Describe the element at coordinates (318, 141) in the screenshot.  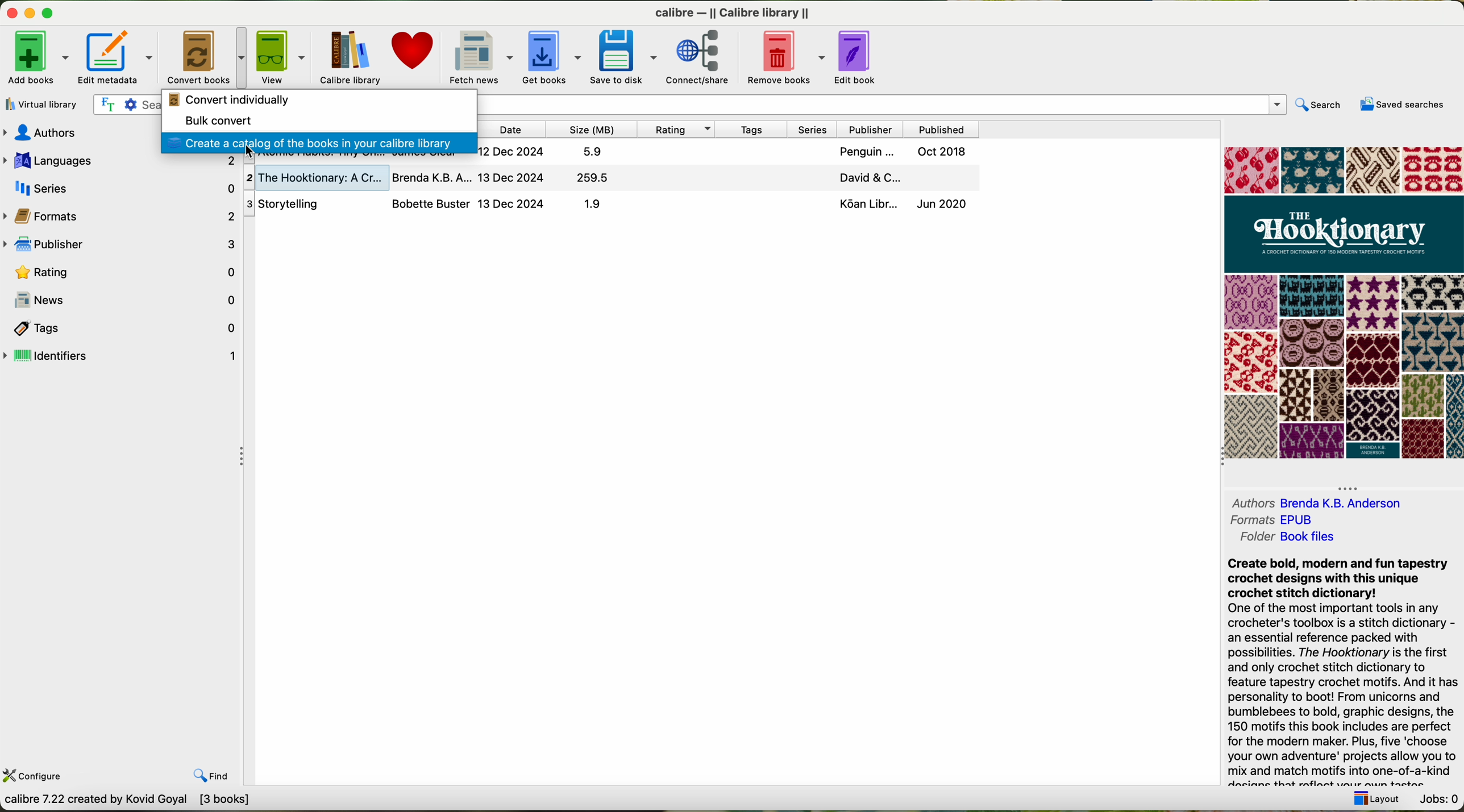
I see `create a catalog of the books in your calibre library` at that location.